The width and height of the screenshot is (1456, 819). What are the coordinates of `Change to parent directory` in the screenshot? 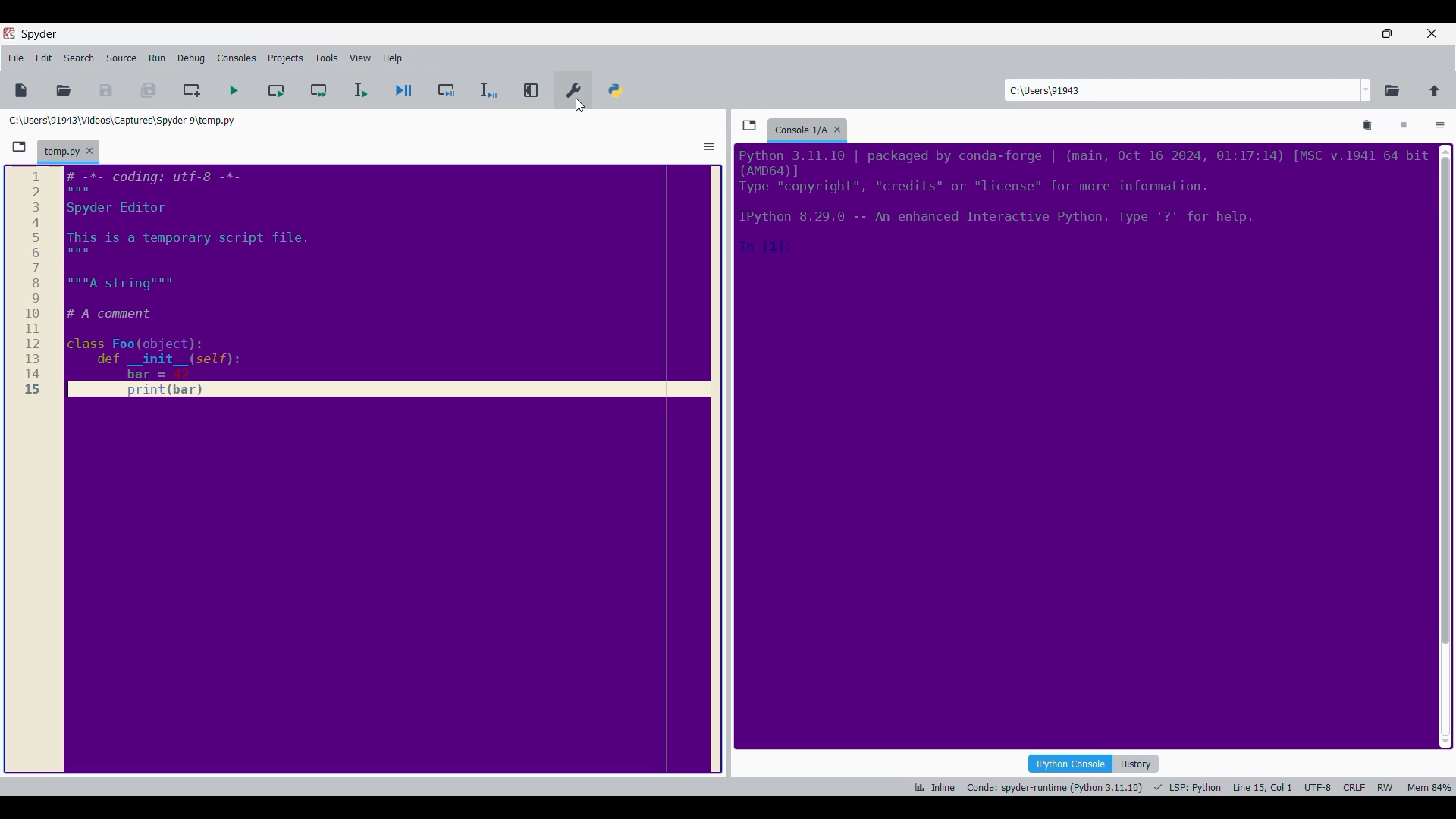 It's located at (1435, 91).